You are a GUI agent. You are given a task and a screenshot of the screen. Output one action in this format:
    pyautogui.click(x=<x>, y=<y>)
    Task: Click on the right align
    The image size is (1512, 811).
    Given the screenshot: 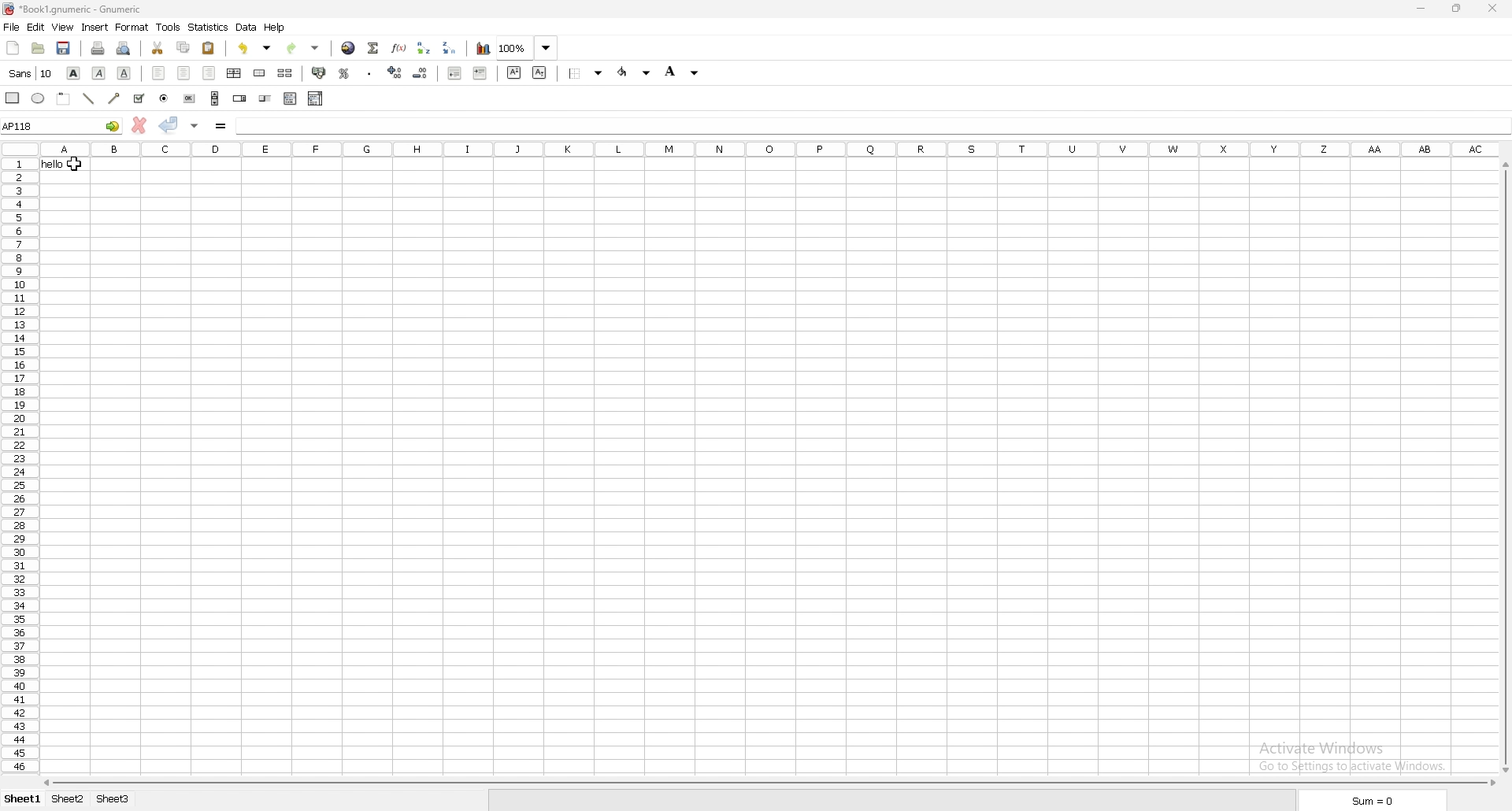 What is the action you would take?
    pyautogui.click(x=211, y=74)
    